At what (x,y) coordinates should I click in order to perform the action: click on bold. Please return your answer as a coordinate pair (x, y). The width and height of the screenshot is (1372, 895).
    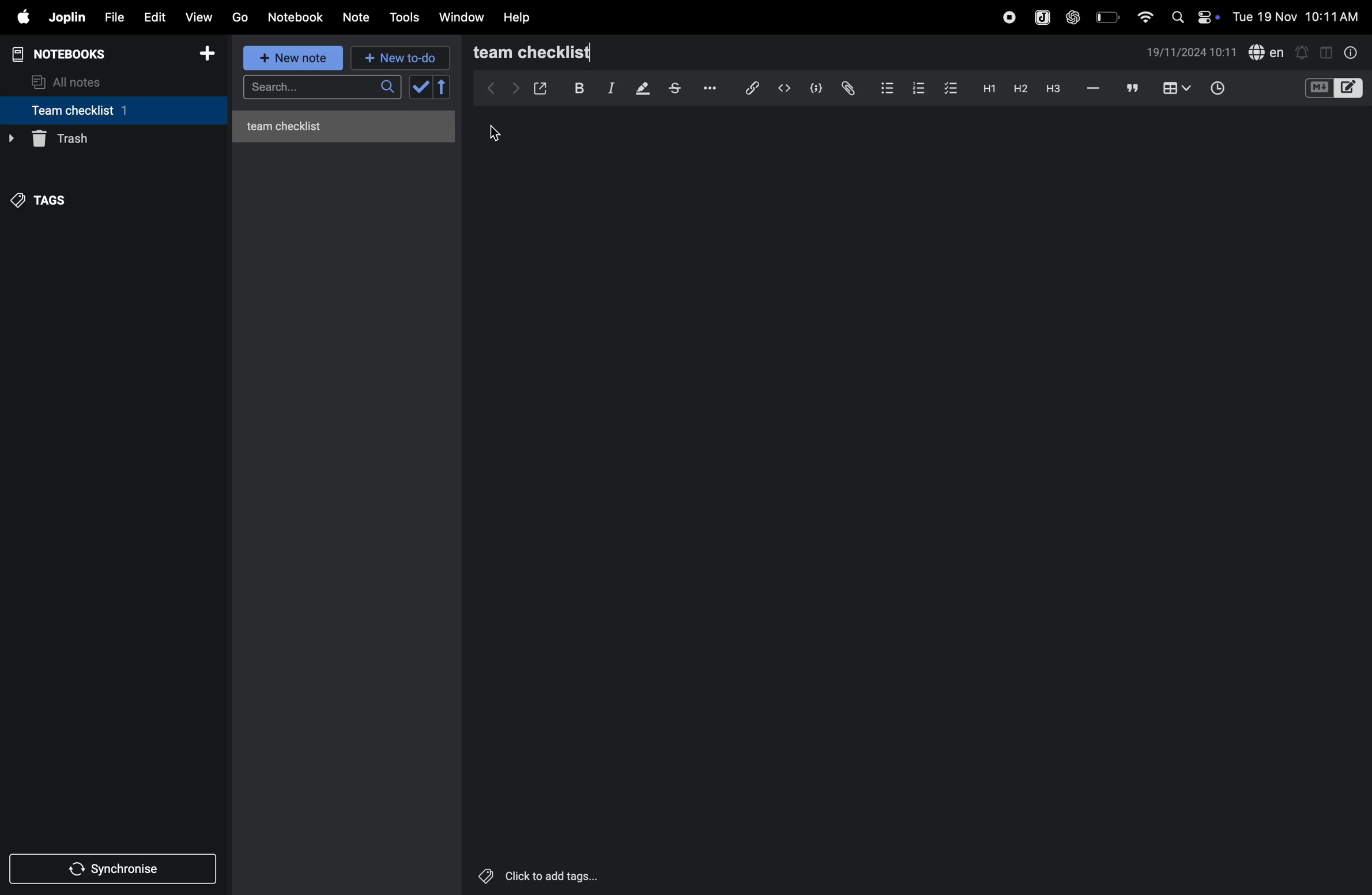
    Looking at the image, I should click on (578, 87).